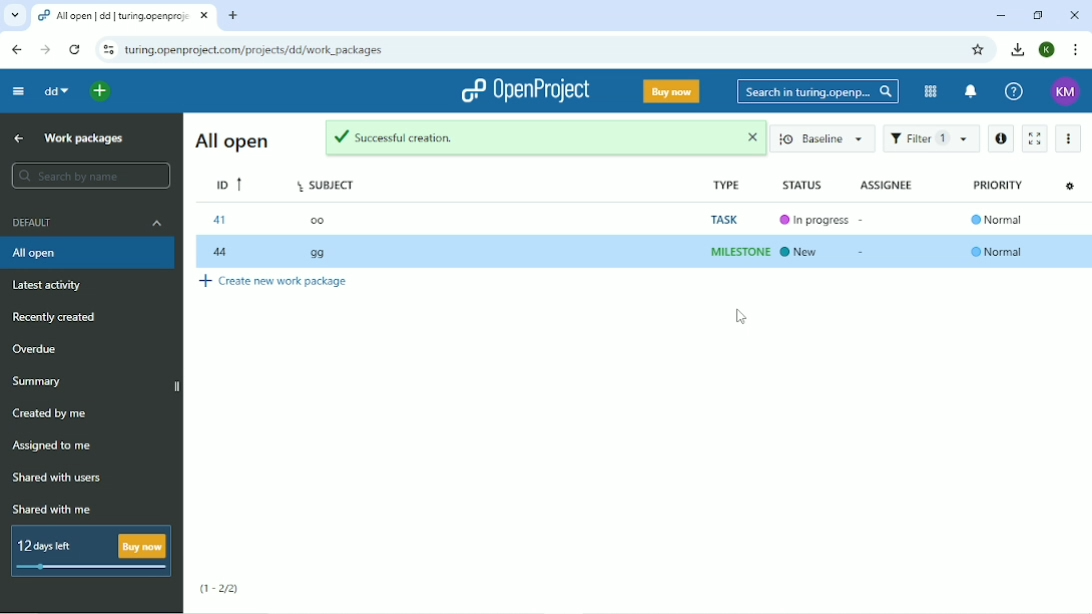  Describe the element at coordinates (46, 49) in the screenshot. I see `Forward` at that location.